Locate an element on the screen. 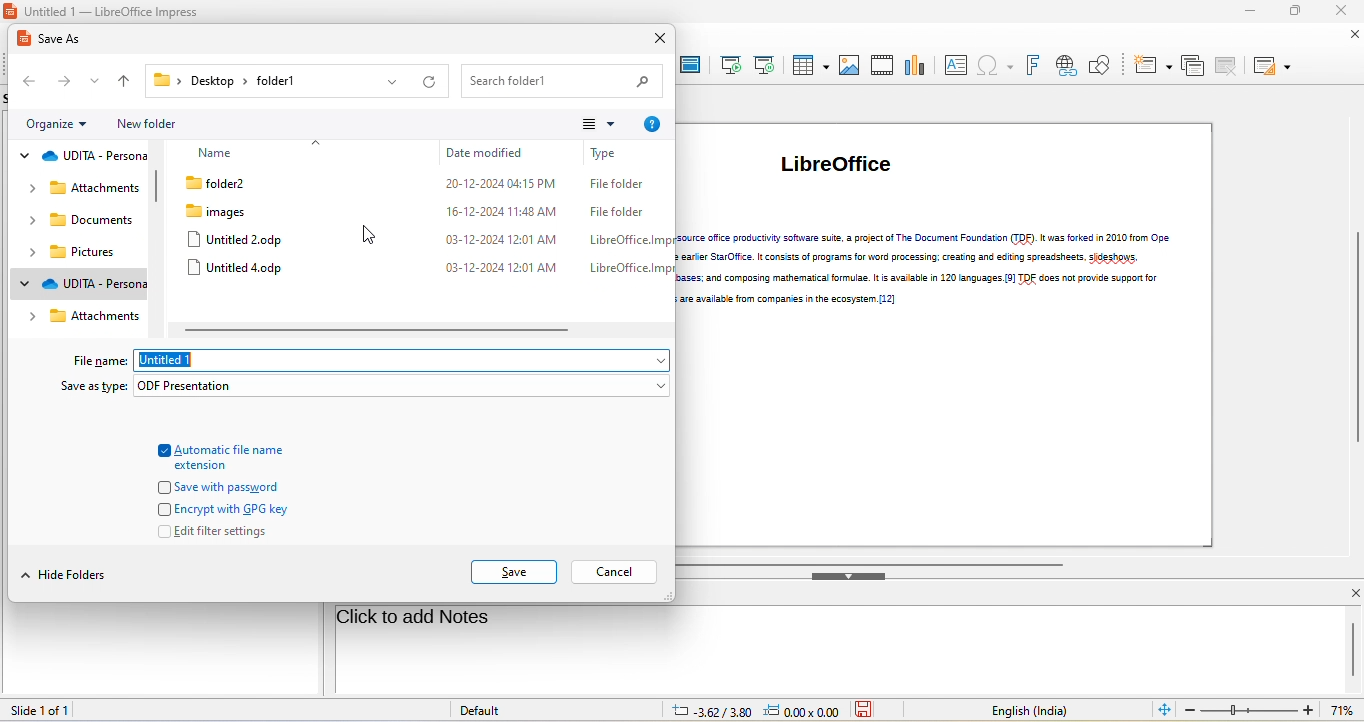 The image size is (1364, 722). current zoom: 71% is located at coordinates (1344, 709).